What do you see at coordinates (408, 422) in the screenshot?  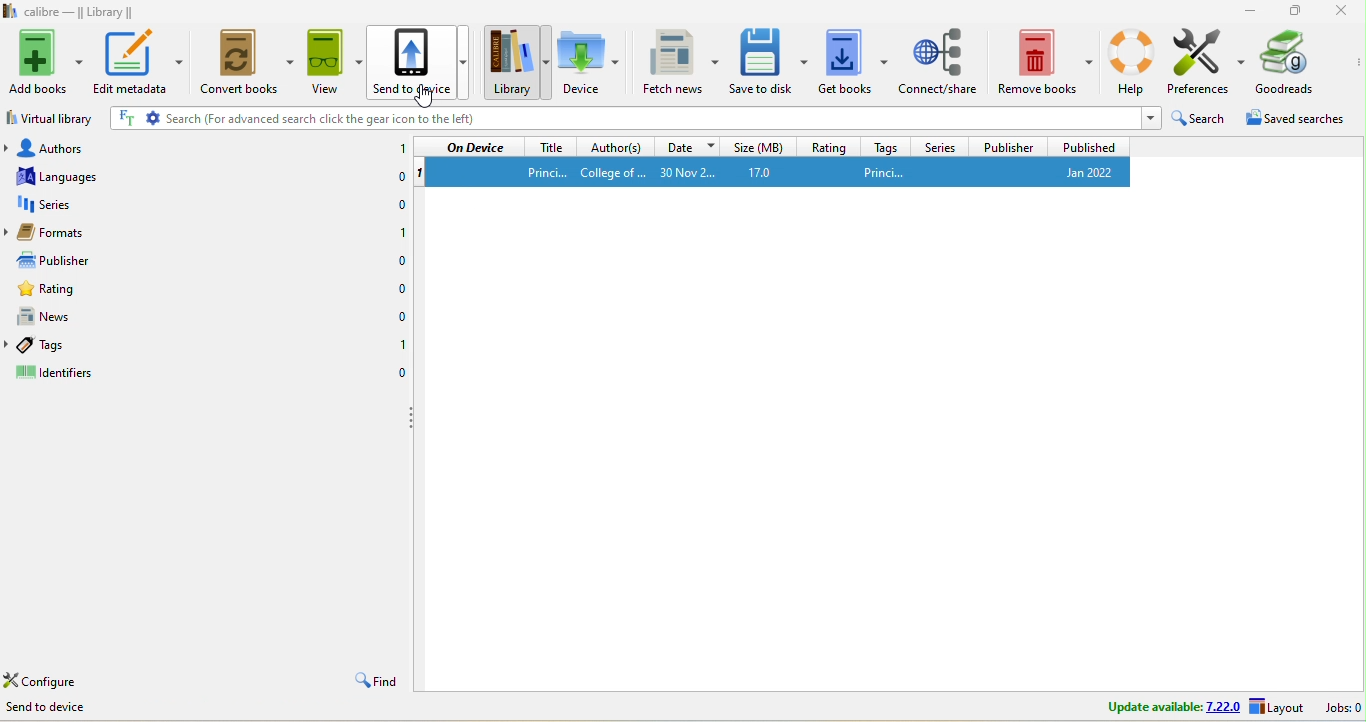 I see `drag to collapse` at bounding box center [408, 422].